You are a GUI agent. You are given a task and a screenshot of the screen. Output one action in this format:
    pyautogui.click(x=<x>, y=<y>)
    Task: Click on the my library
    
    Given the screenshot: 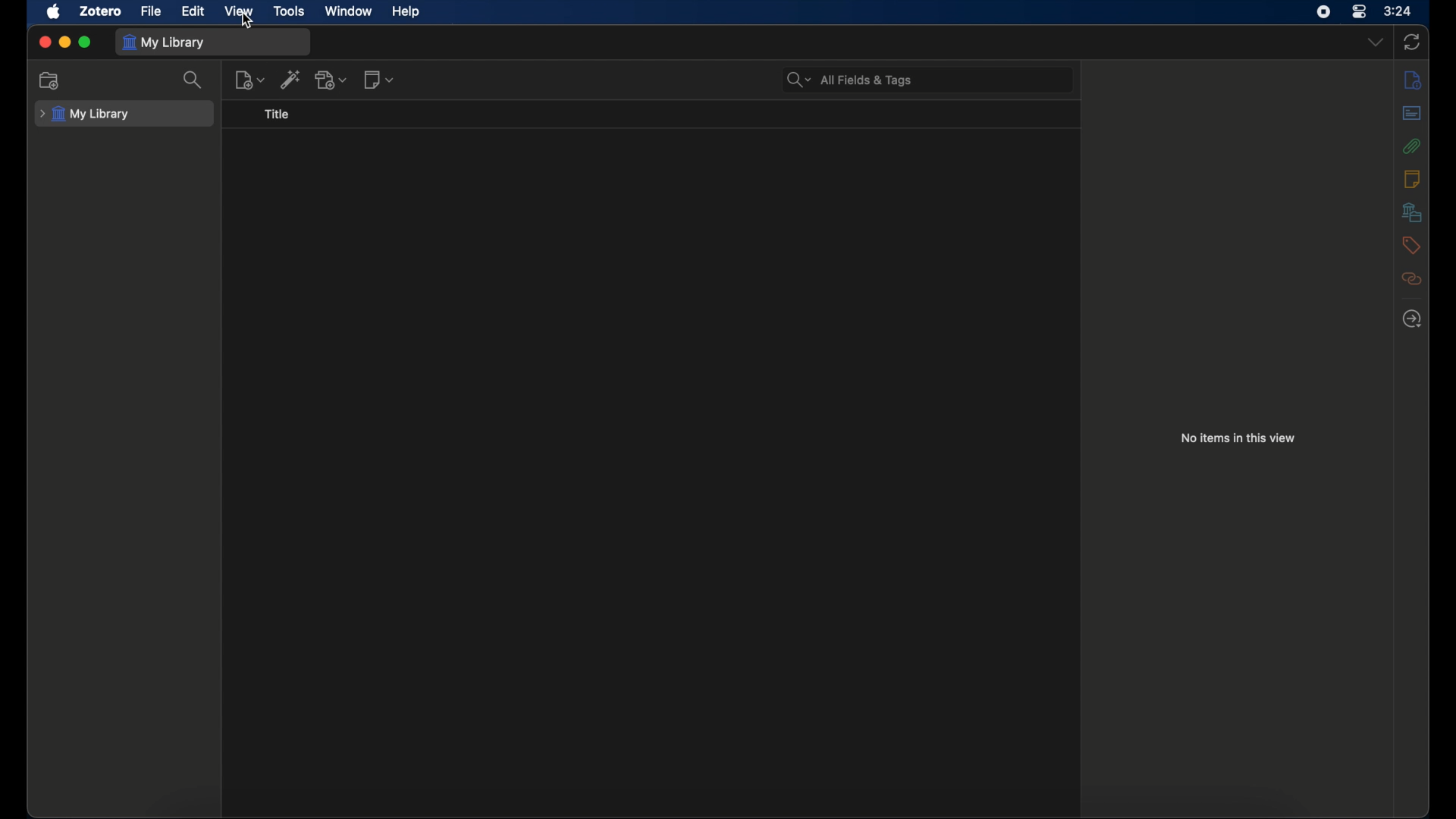 What is the action you would take?
    pyautogui.click(x=85, y=115)
    